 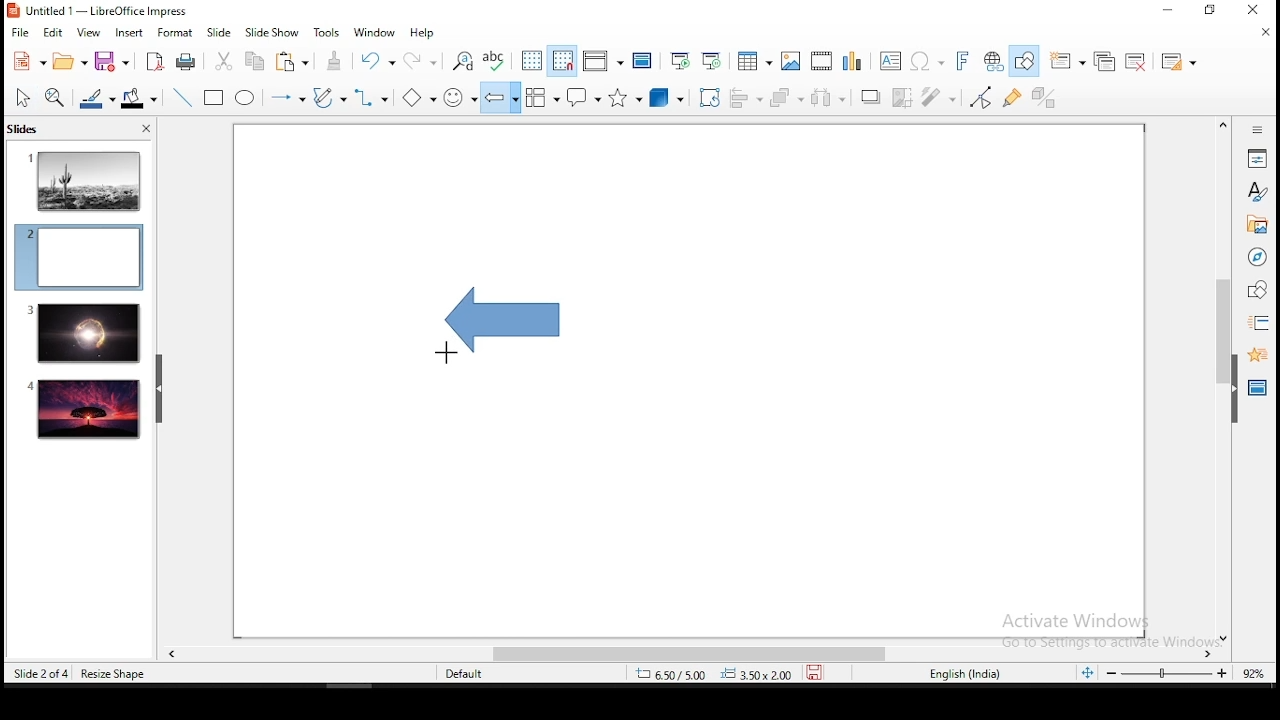 I want to click on slide, so click(x=85, y=407).